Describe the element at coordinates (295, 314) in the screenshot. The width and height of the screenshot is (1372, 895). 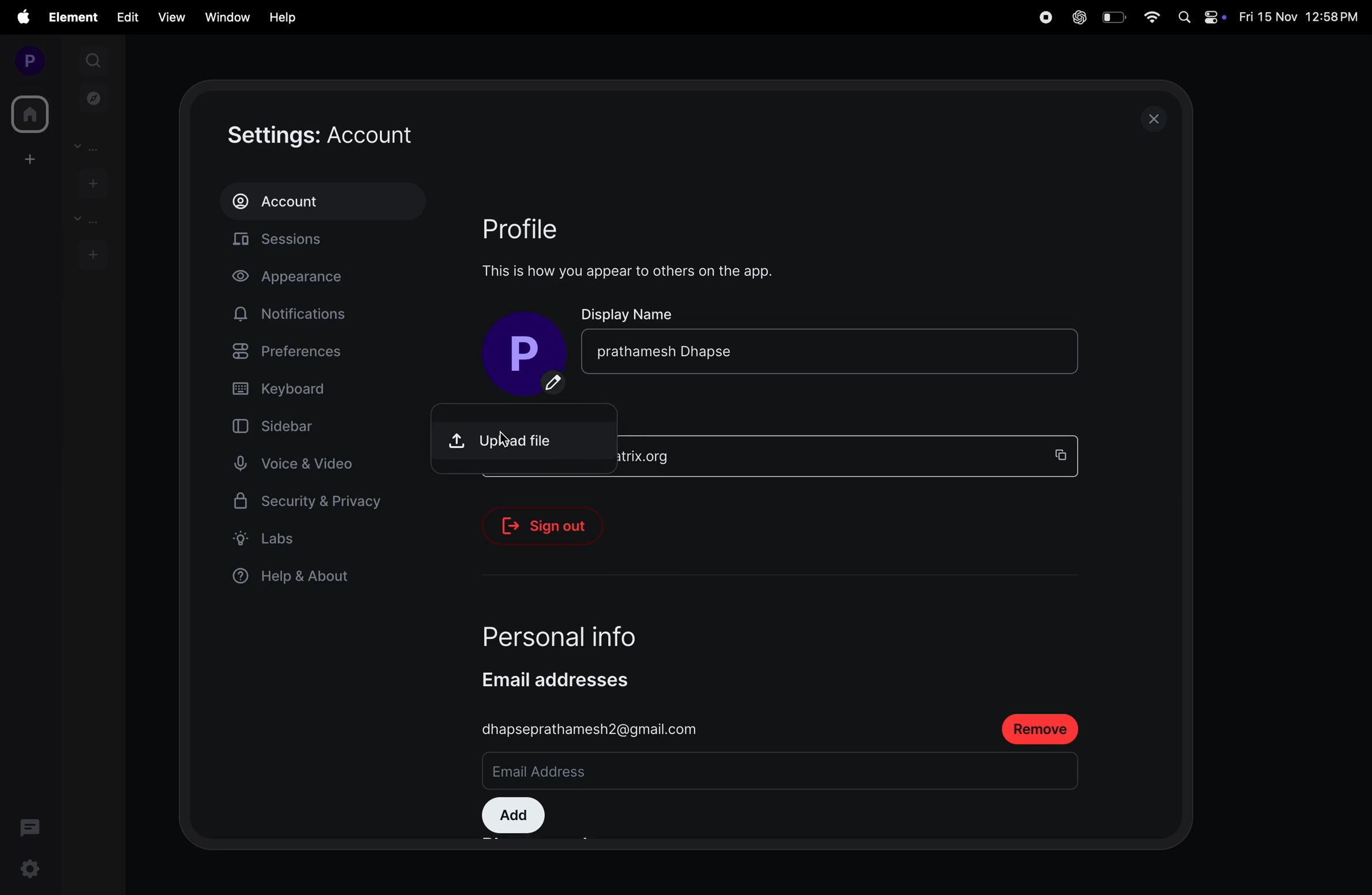
I see `notifications` at that location.